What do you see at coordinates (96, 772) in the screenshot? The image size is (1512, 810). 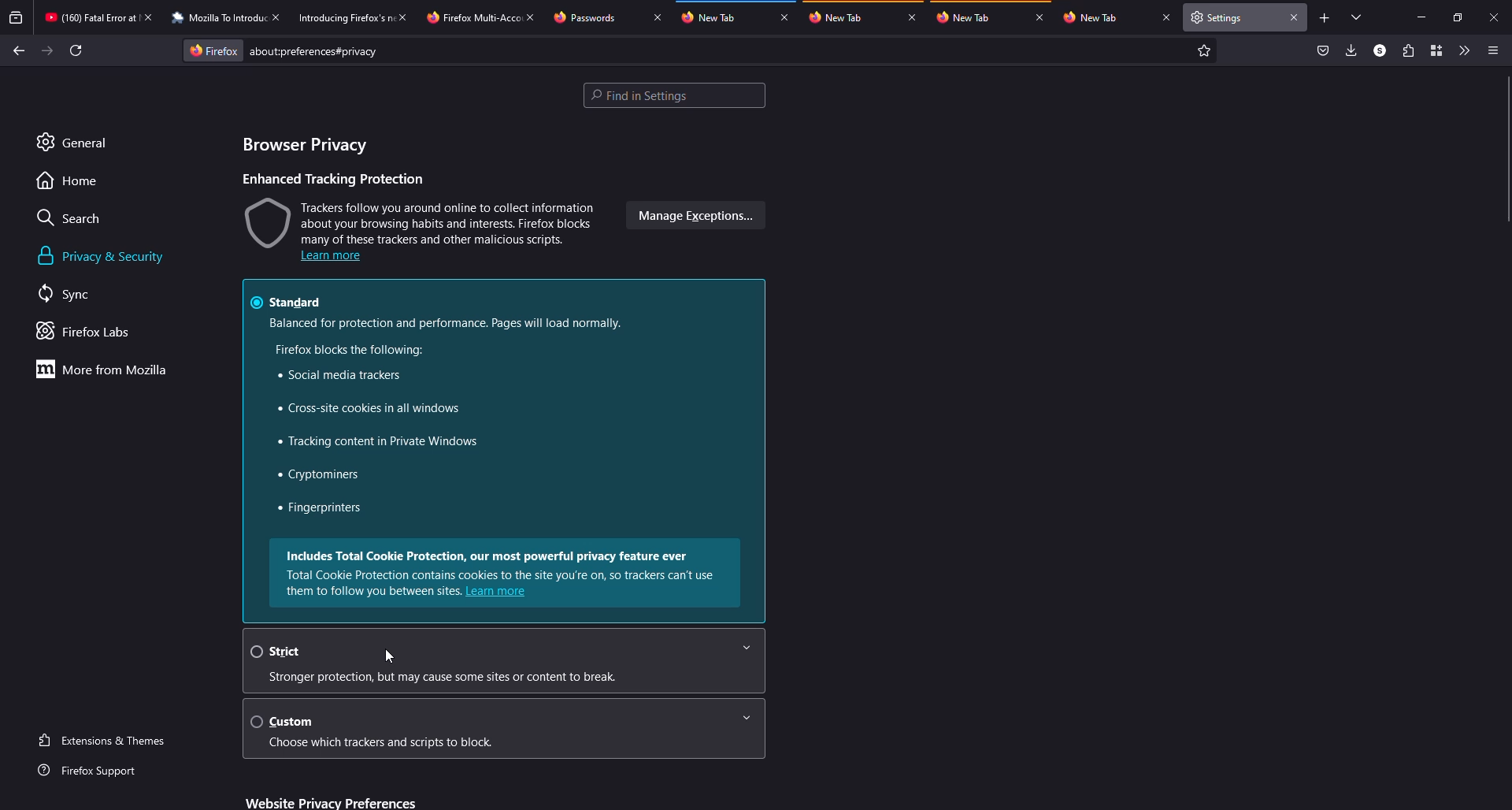 I see `support` at bounding box center [96, 772].